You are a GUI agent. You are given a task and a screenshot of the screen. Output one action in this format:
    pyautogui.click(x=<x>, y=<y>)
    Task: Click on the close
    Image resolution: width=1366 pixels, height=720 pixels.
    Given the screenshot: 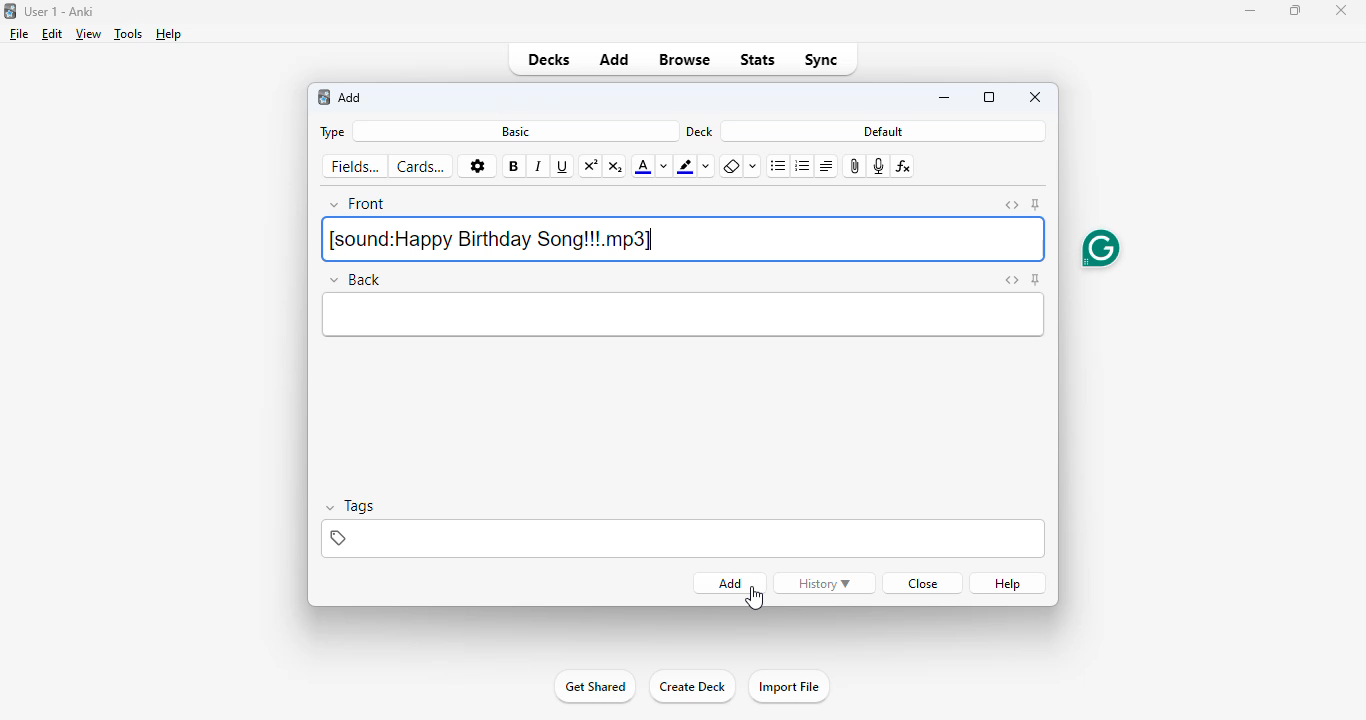 What is the action you would take?
    pyautogui.click(x=924, y=583)
    